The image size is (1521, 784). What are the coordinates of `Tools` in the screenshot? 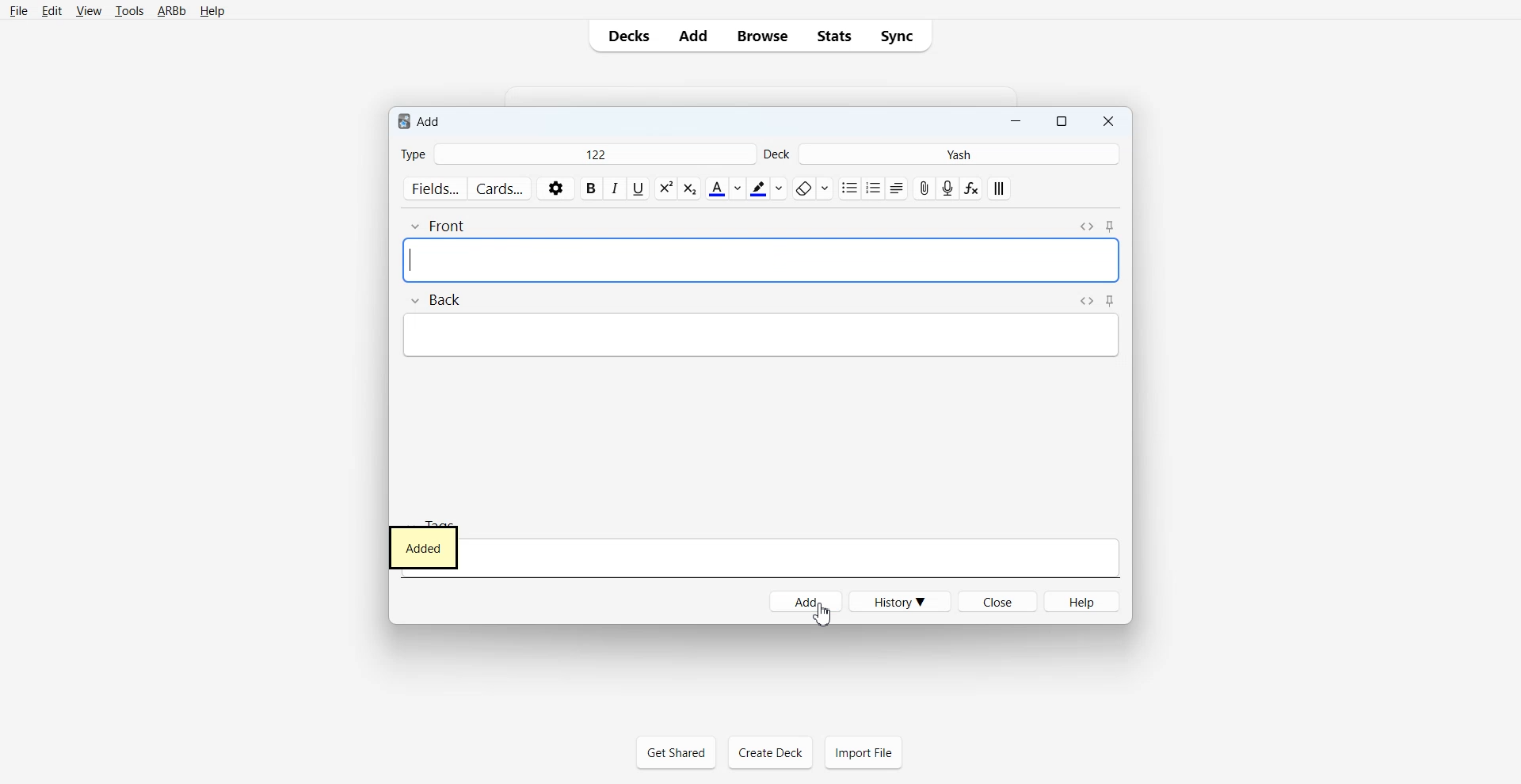 It's located at (127, 10).